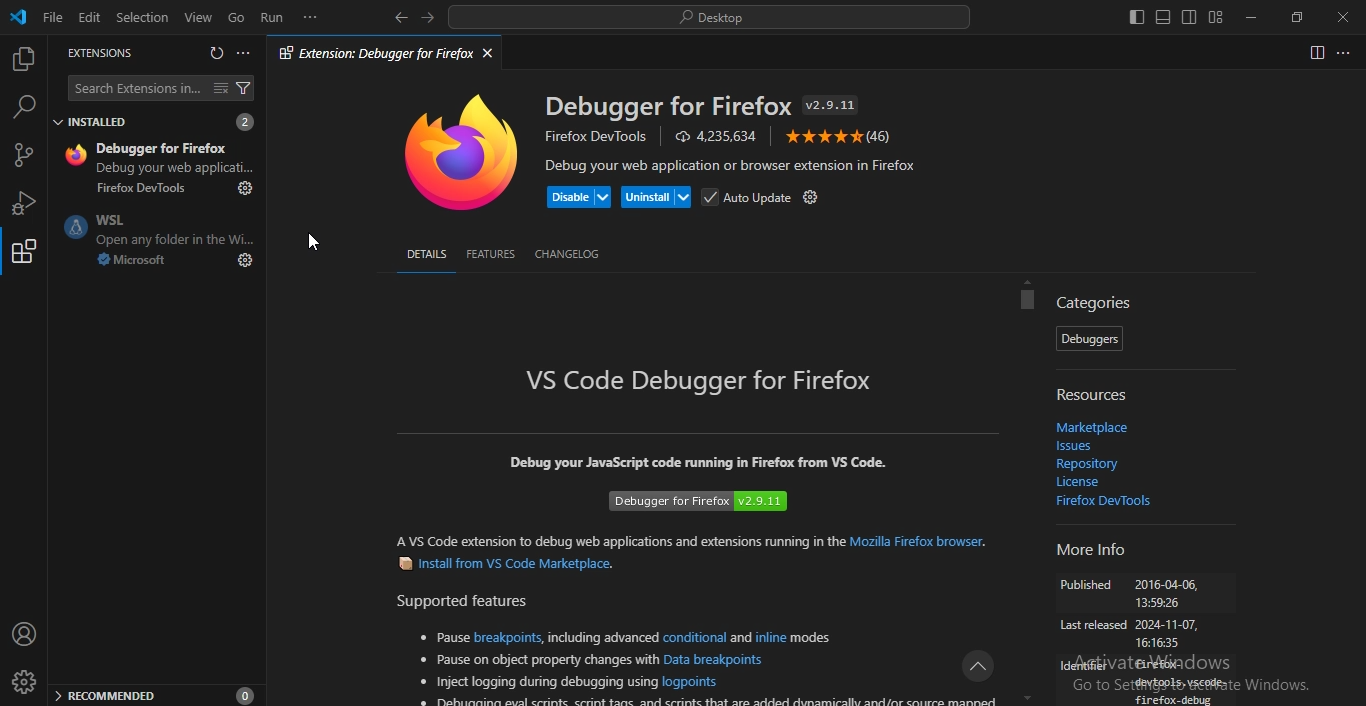 The image size is (1366, 706). What do you see at coordinates (538, 660) in the screenshot?
I see `pause on object property changes with` at bounding box center [538, 660].